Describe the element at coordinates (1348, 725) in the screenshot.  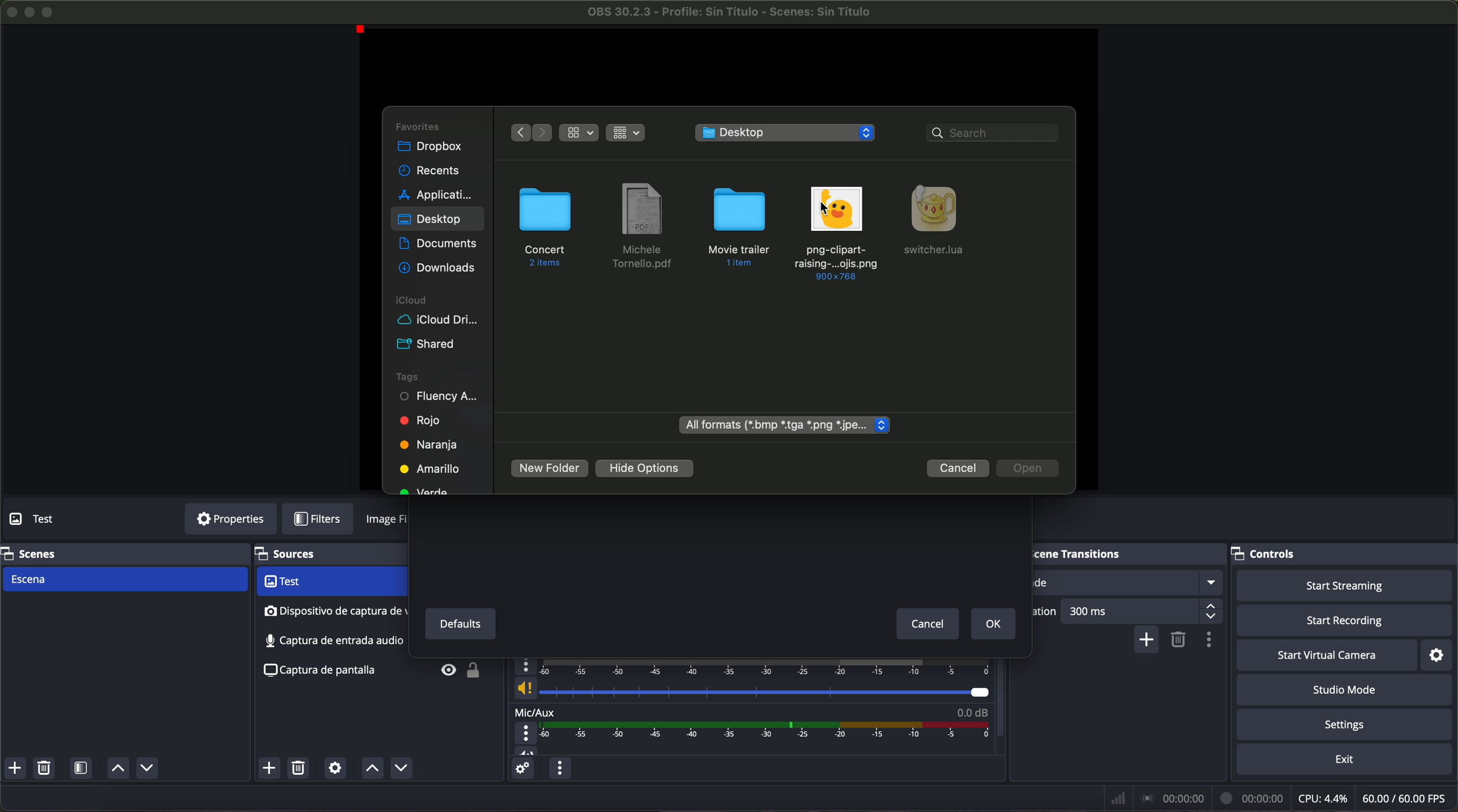
I see `settings` at that location.